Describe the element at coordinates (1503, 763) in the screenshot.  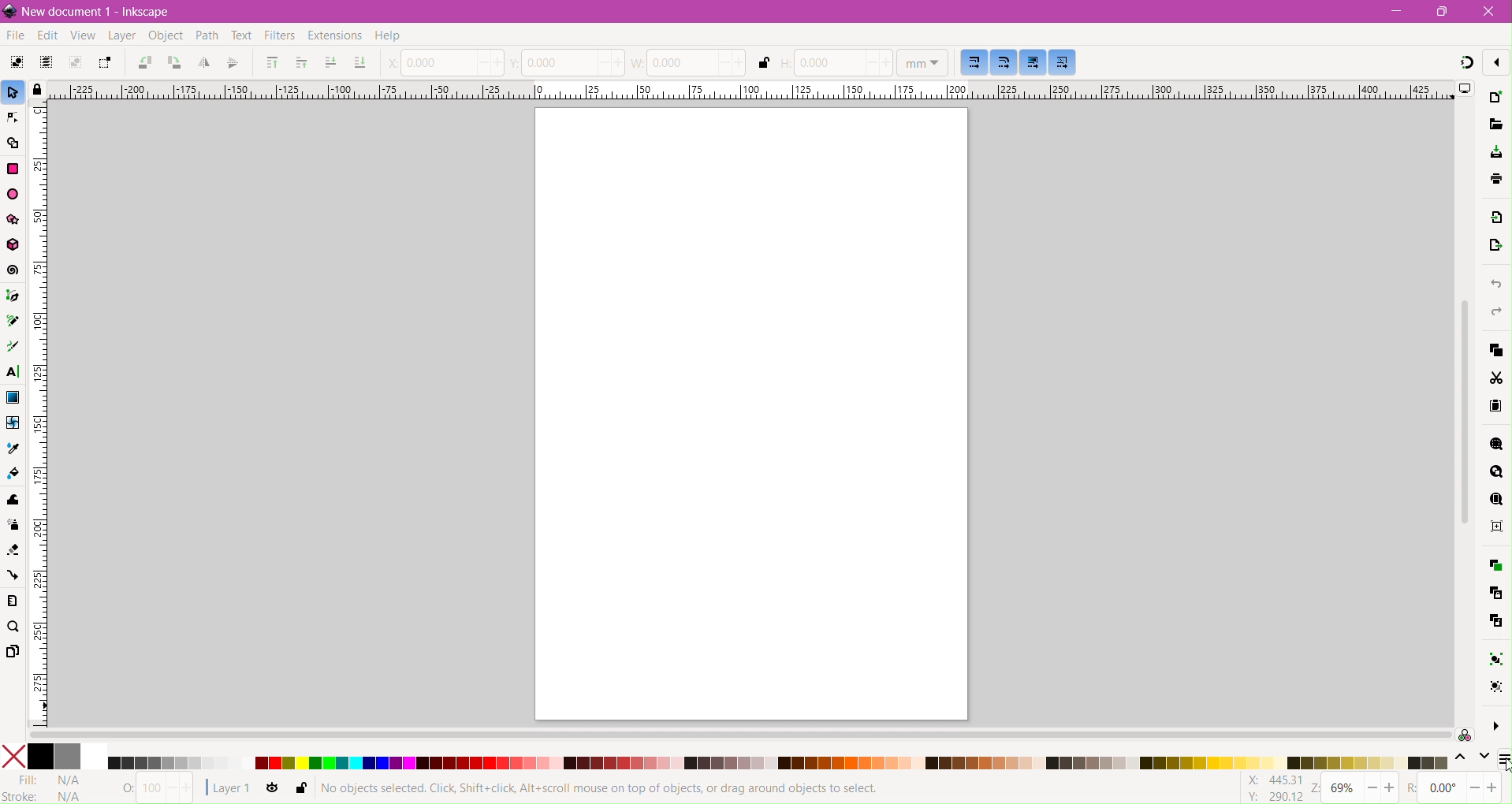
I see `cursor` at that location.